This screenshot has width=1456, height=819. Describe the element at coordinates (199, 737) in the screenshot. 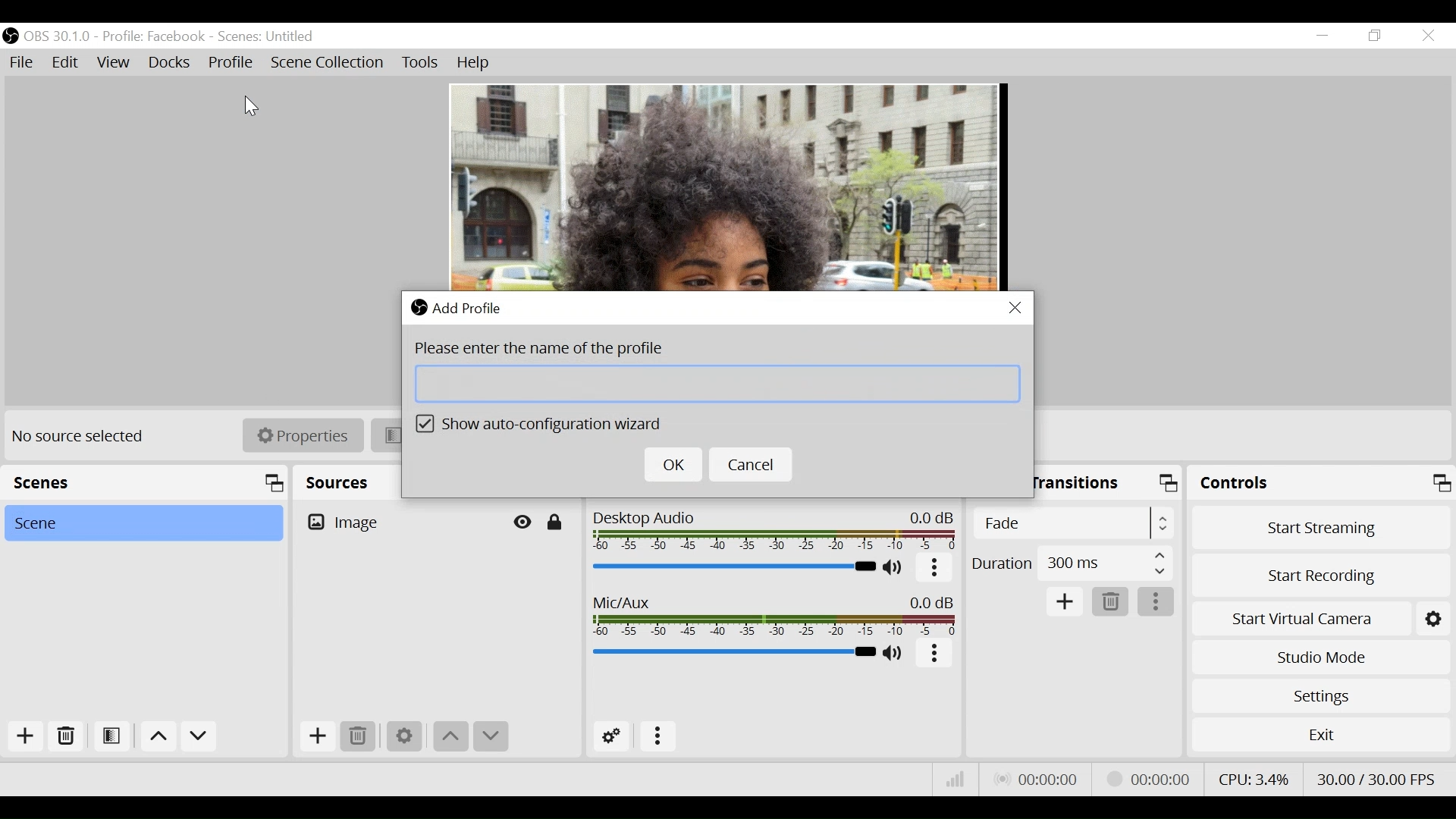

I see `move down` at that location.